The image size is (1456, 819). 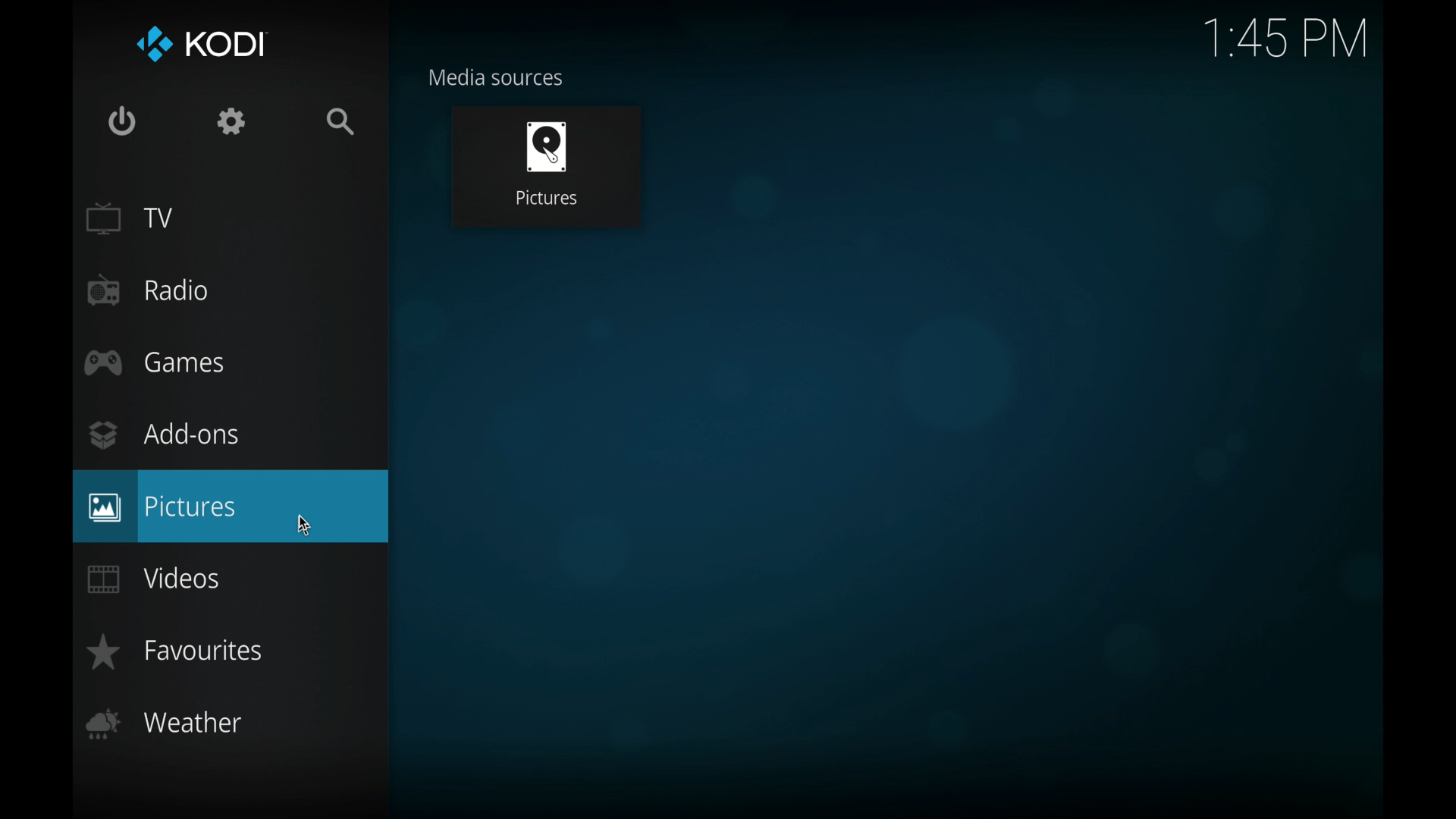 I want to click on TV, so click(x=131, y=218).